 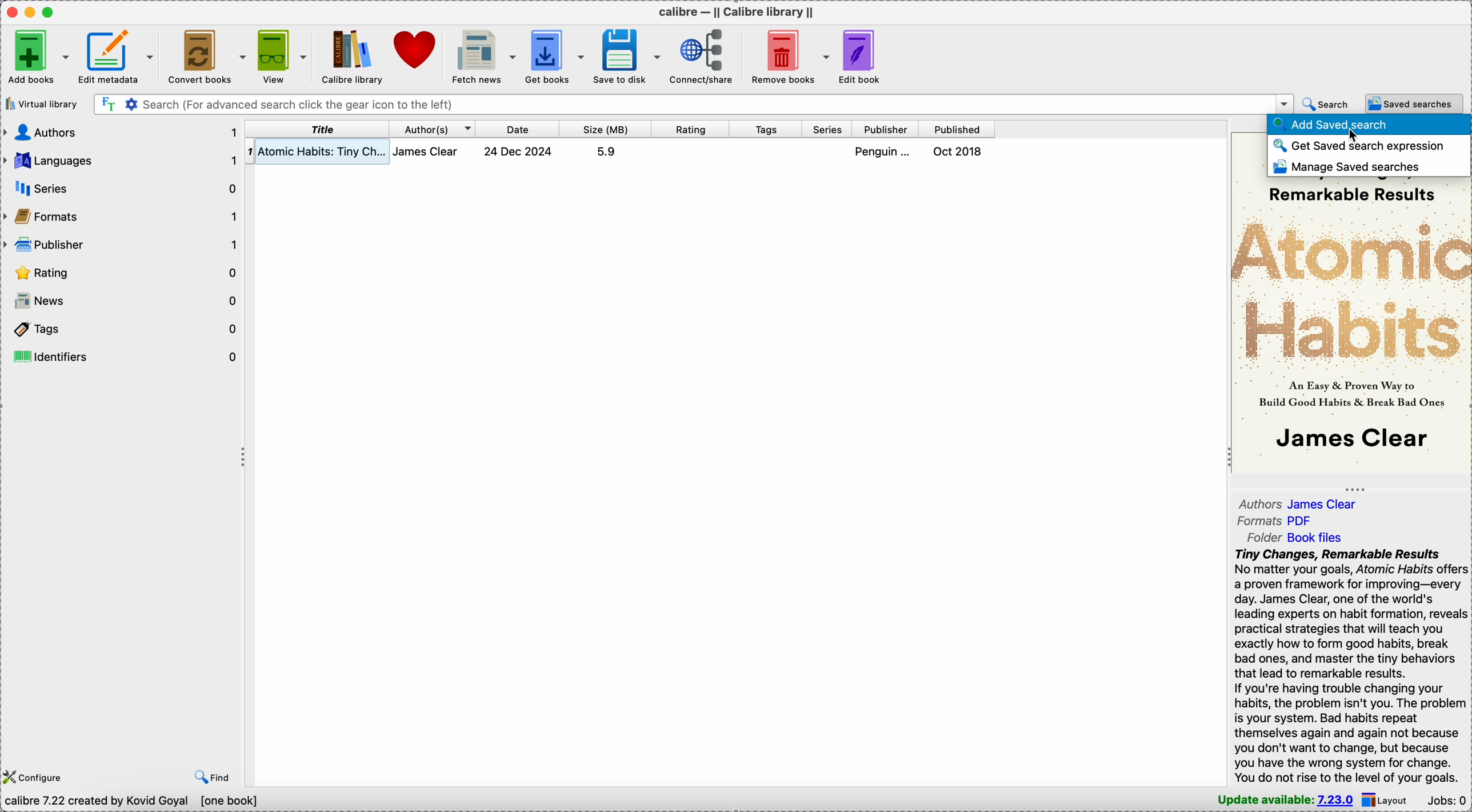 What do you see at coordinates (959, 151) in the screenshot?
I see `Oct 2018` at bounding box center [959, 151].